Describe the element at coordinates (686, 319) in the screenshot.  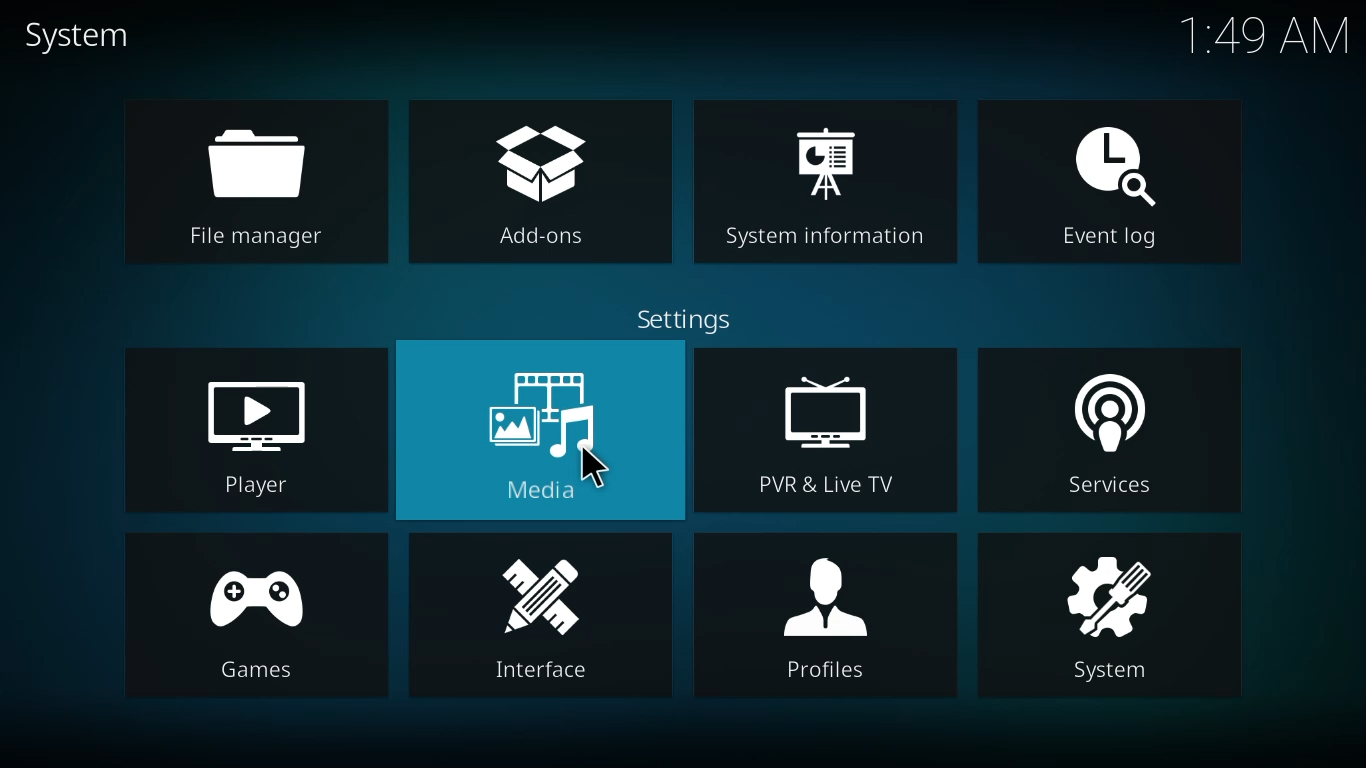
I see `settings` at that location.